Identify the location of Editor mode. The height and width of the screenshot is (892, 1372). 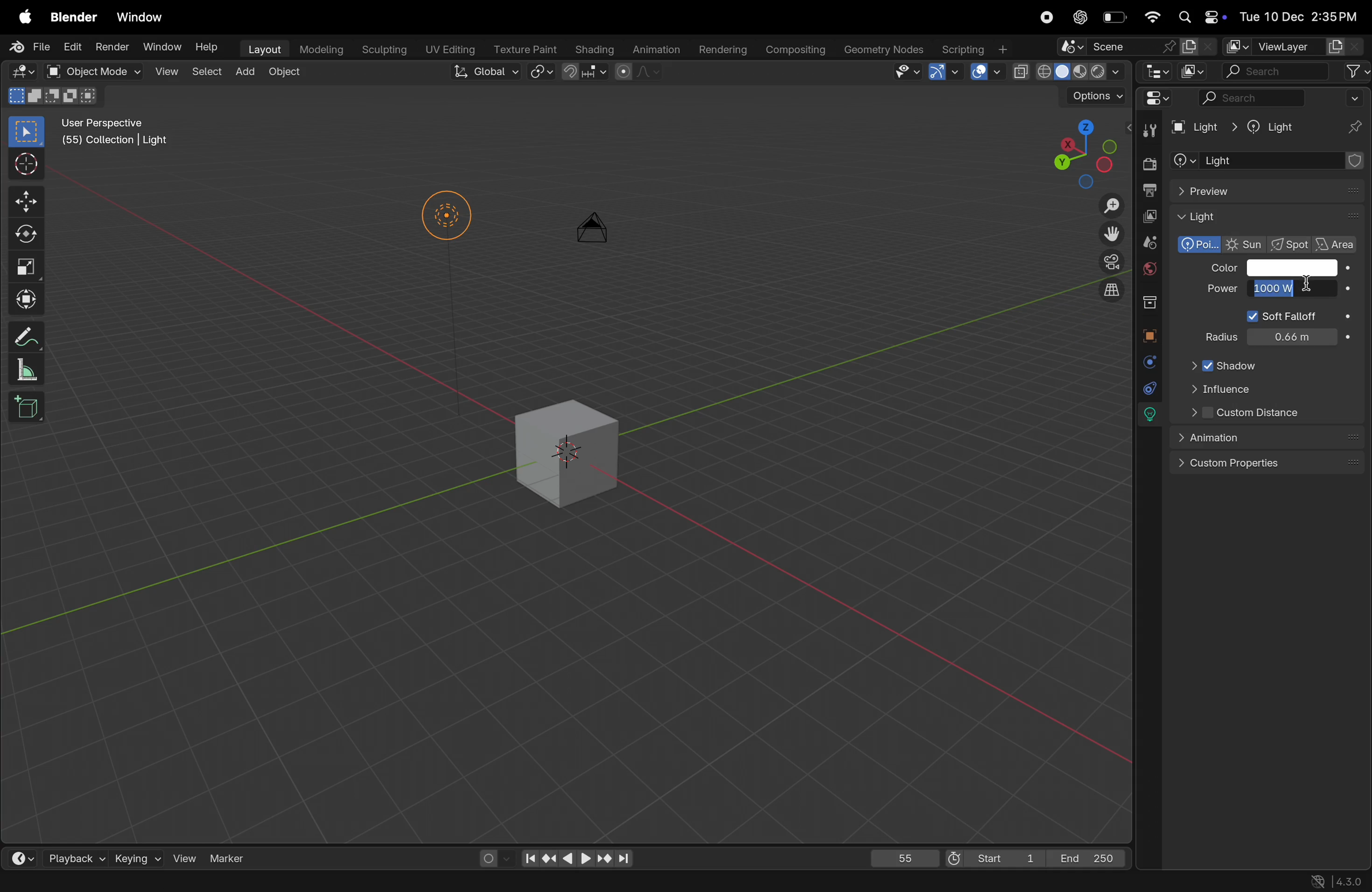
(22, 71).